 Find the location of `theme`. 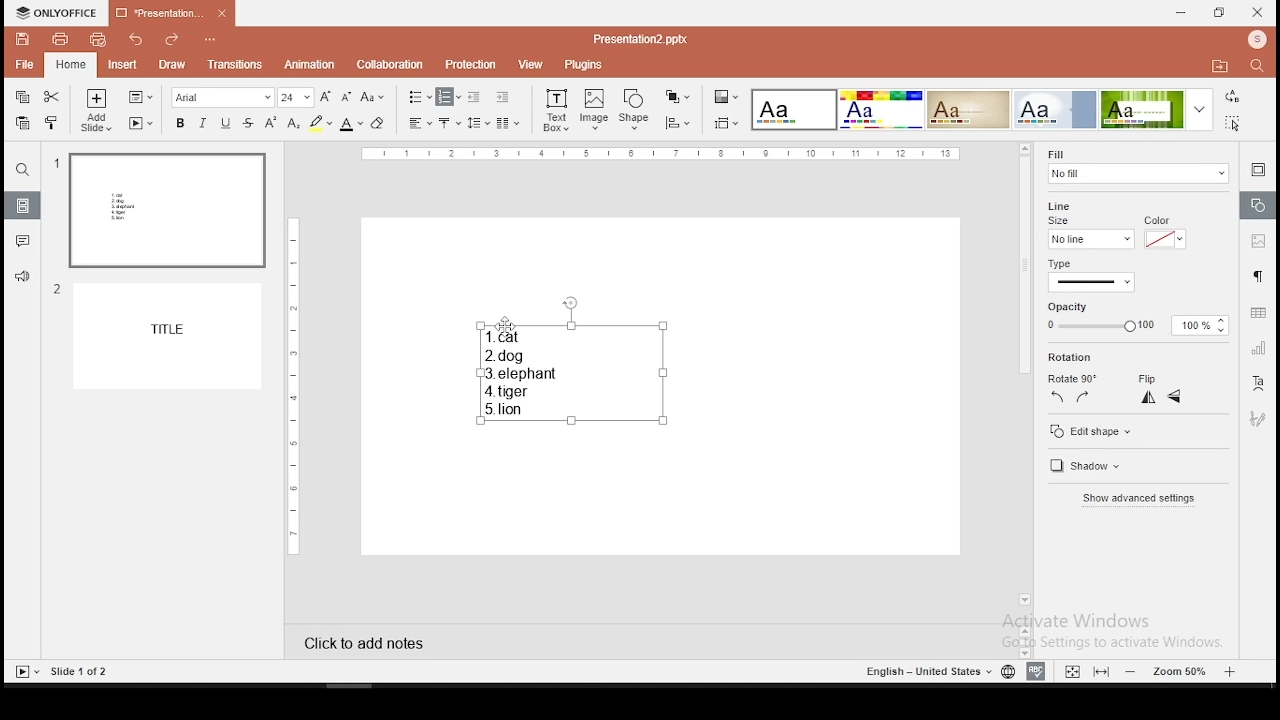

theme is located at coordinates (1055, 109).